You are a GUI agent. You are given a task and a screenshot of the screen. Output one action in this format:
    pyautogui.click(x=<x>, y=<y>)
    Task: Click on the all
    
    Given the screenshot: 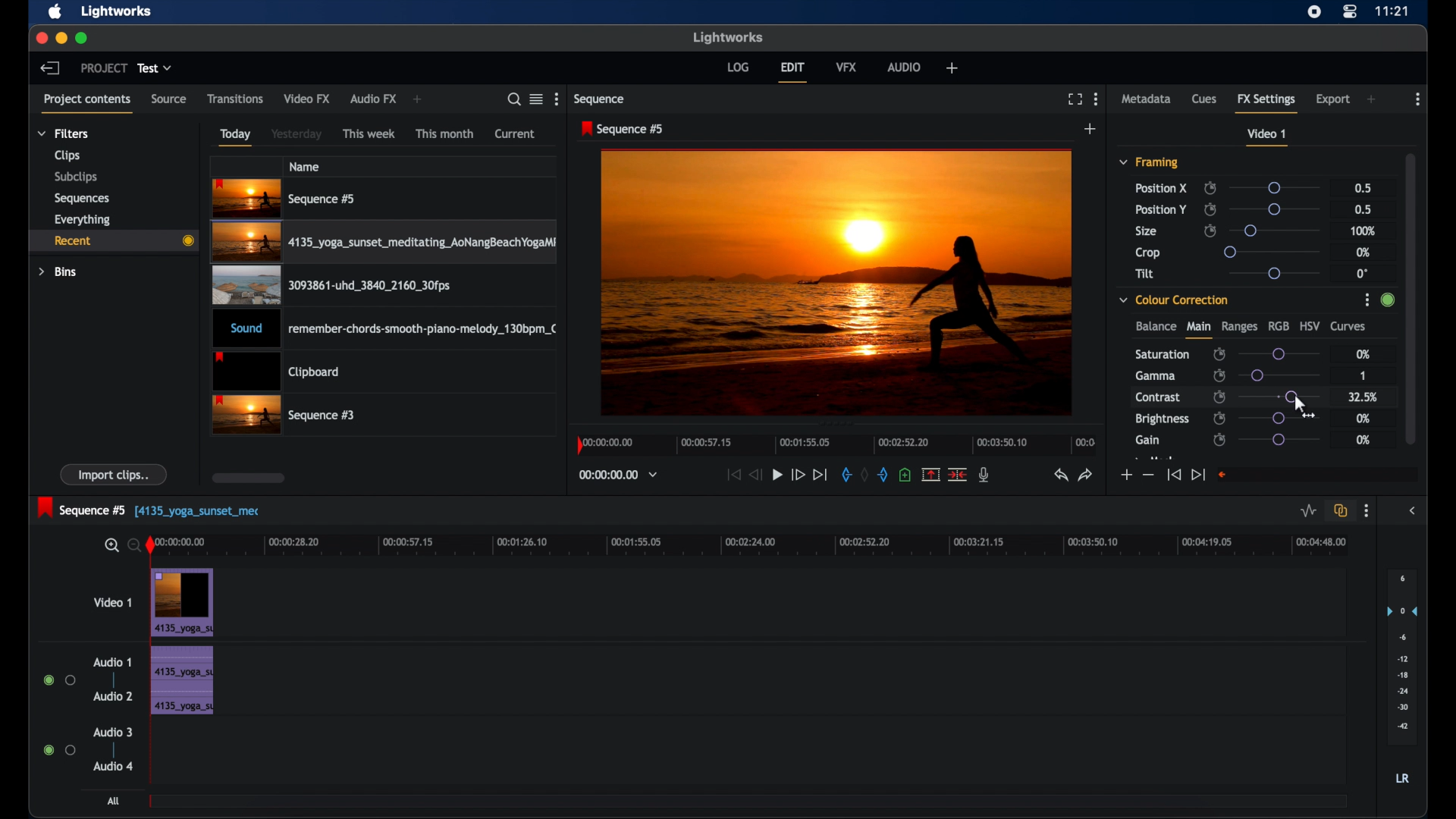 What is the action you would take?
    pyautogui.click(x=115, y=801)
    